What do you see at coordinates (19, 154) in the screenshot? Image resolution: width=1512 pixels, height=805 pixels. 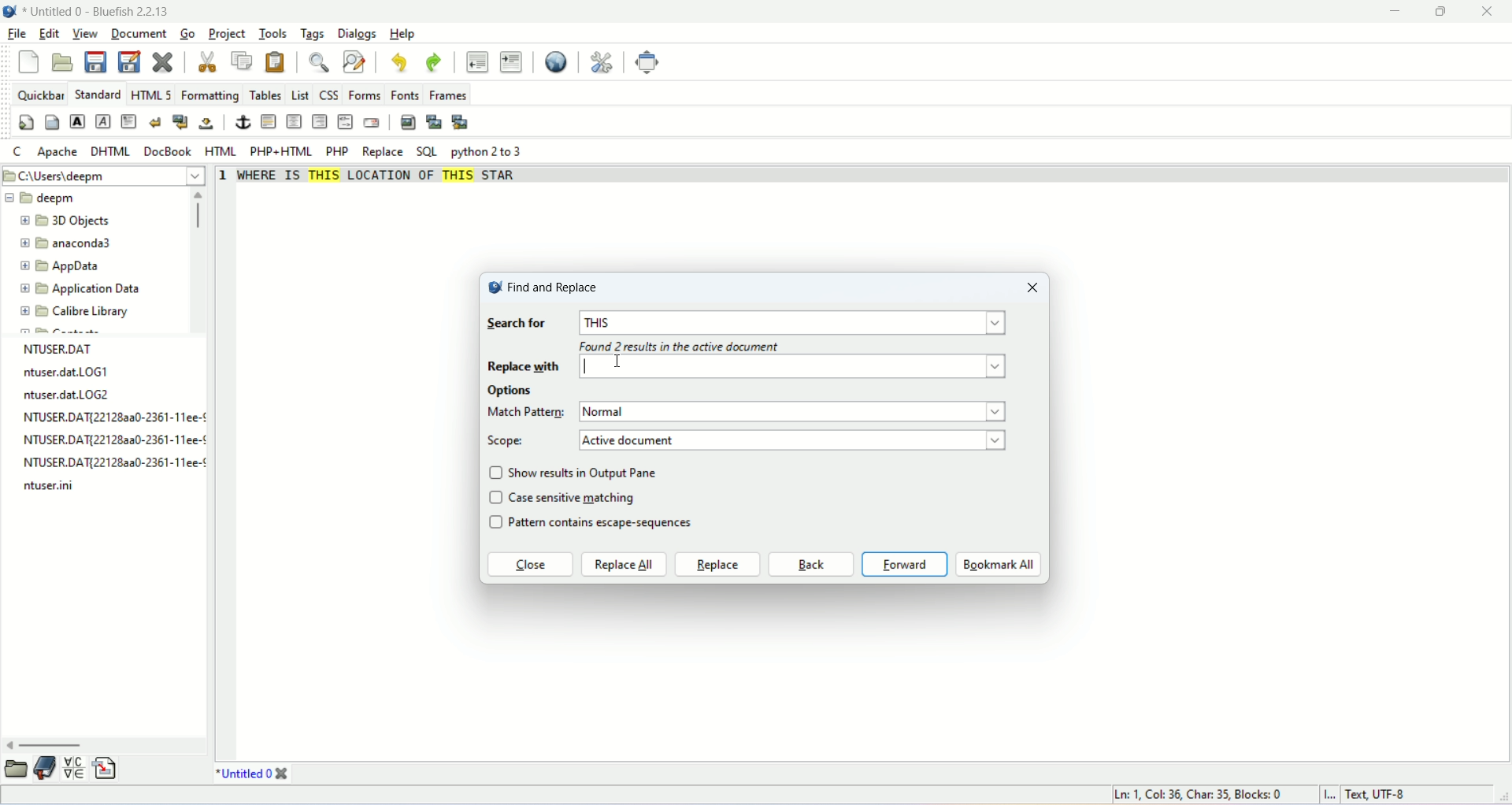 I see `C` at bounding box center [19, 154].